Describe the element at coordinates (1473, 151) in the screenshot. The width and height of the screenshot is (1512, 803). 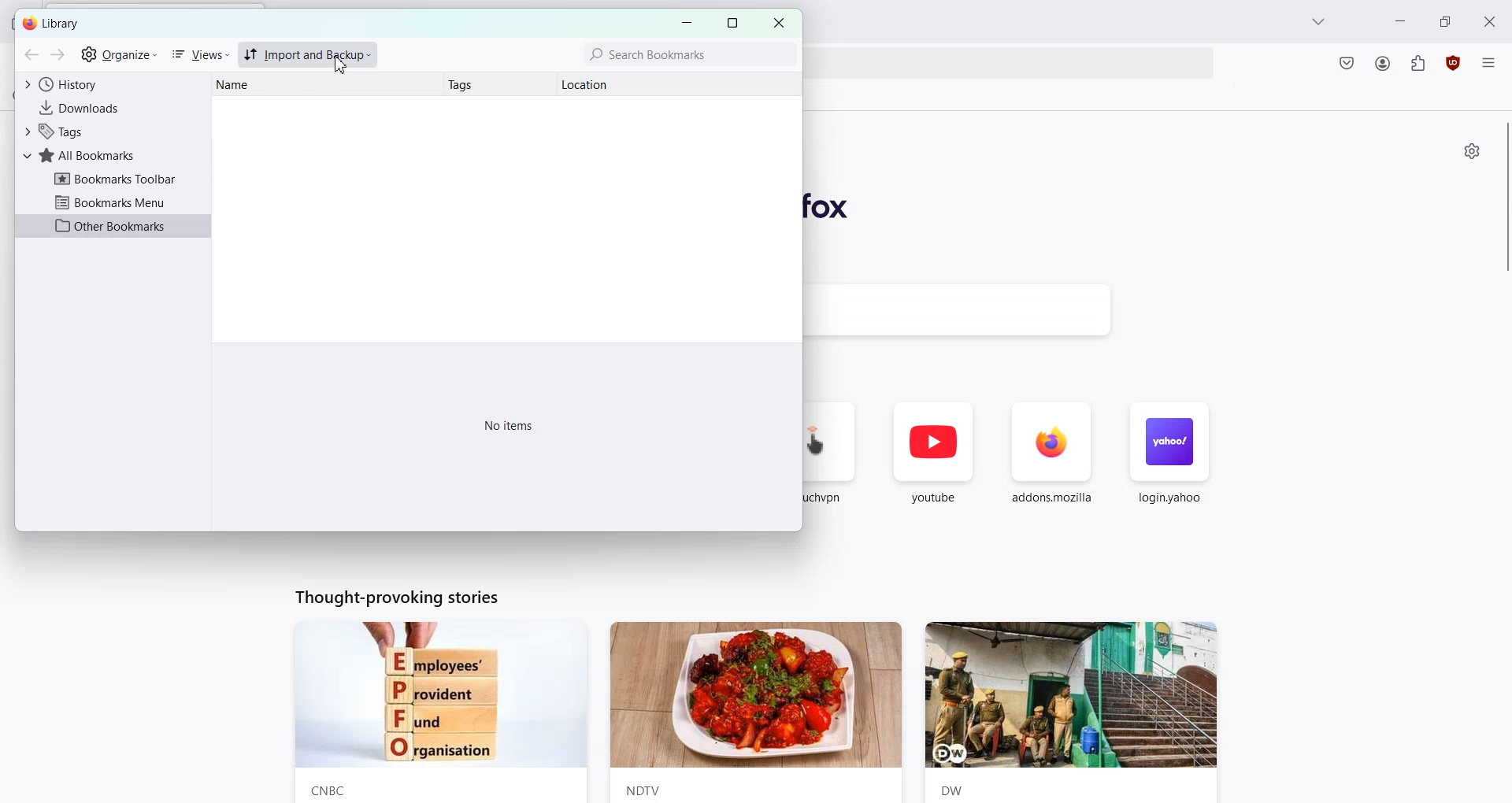
I see `Personalize new Tab` at that location.